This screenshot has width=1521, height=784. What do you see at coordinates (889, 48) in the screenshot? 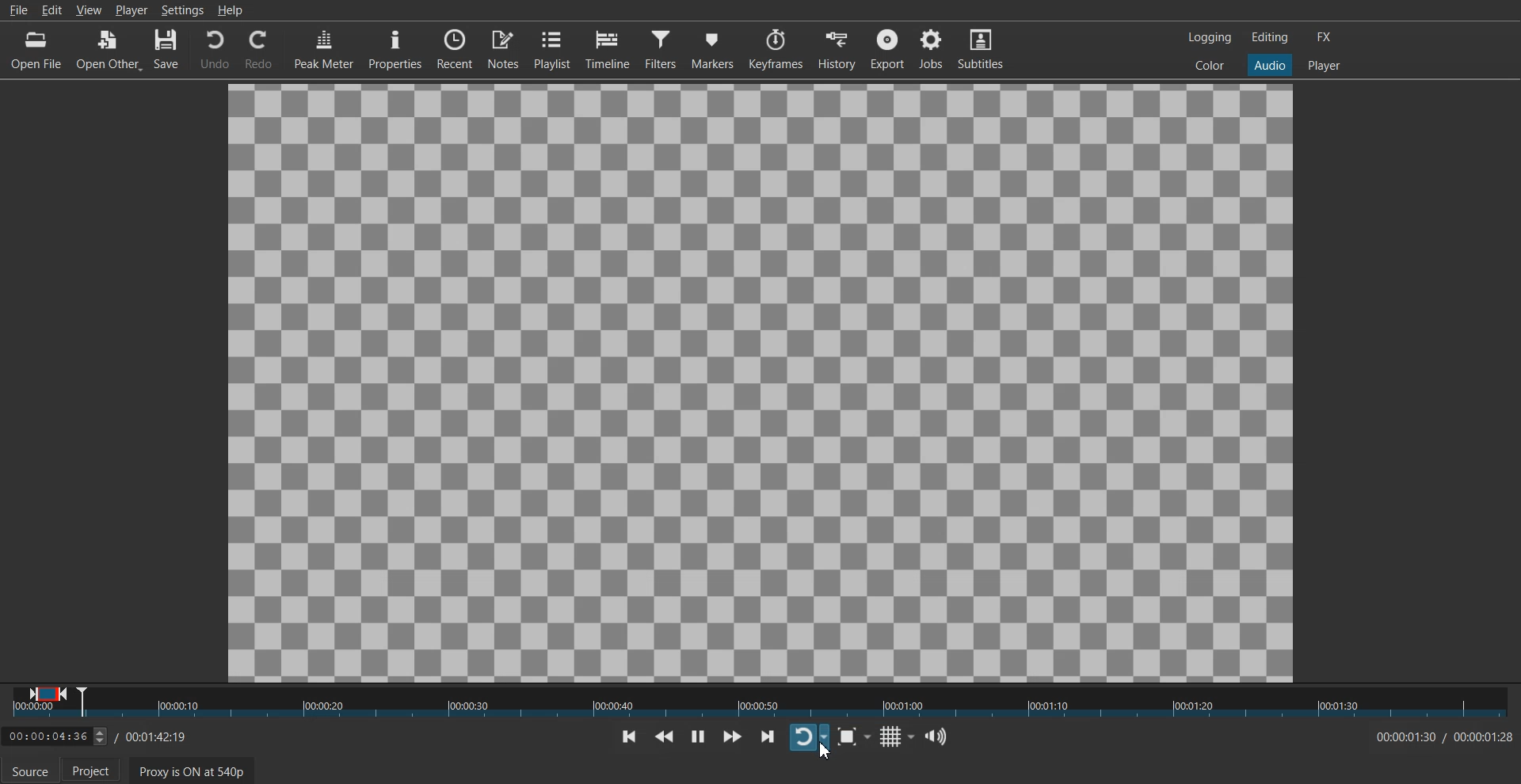
I see `Export` at bounding box center [889, 48].